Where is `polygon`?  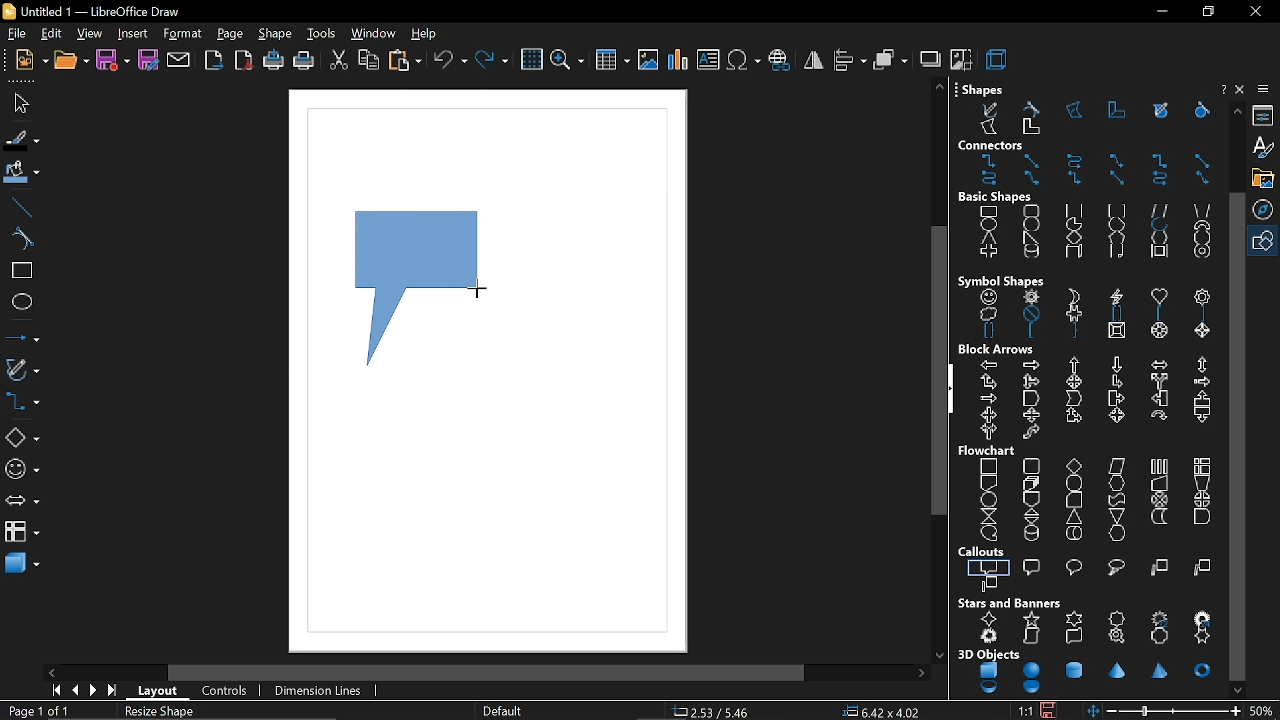 polygon is located at coordinates (1076, 111).